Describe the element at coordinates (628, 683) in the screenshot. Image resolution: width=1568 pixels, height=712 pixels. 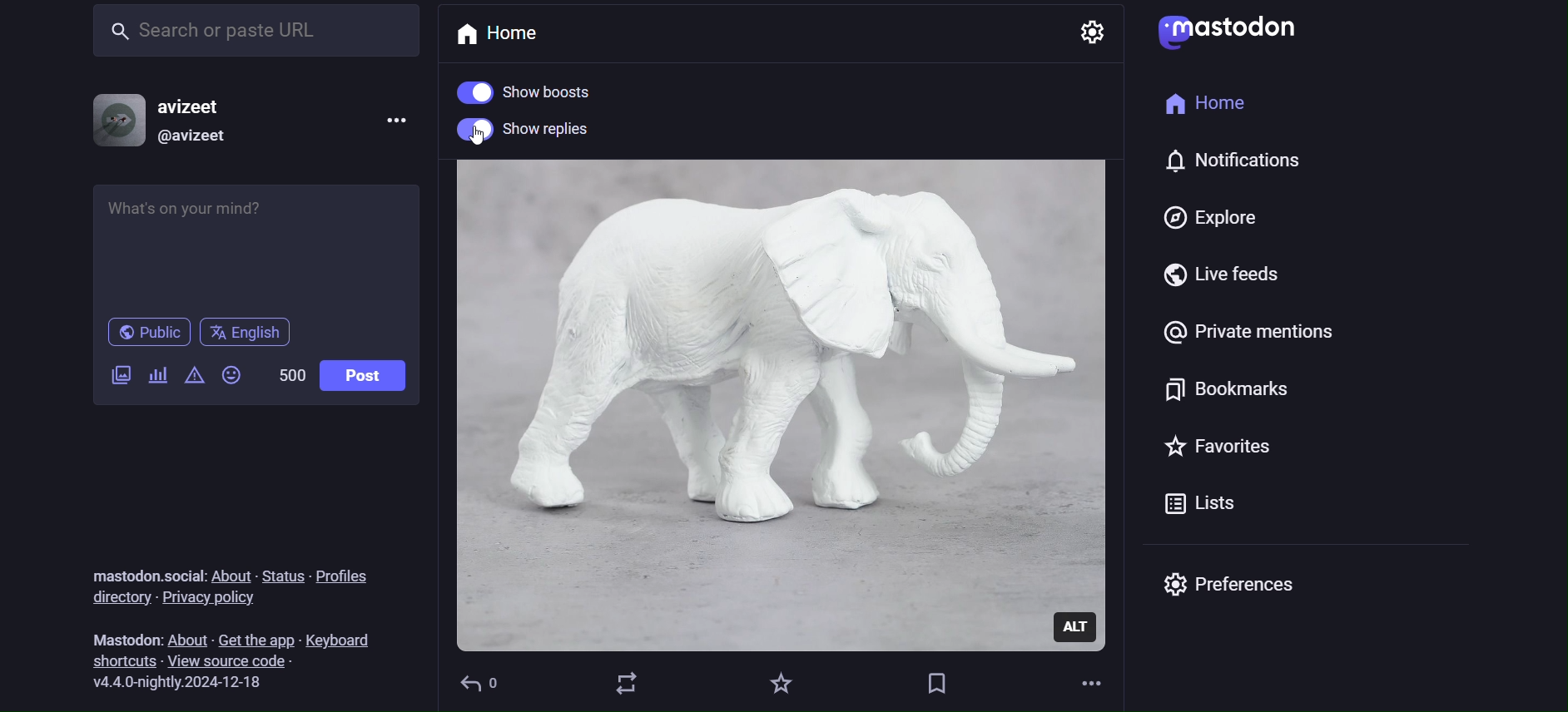
I see `boost` at that location.